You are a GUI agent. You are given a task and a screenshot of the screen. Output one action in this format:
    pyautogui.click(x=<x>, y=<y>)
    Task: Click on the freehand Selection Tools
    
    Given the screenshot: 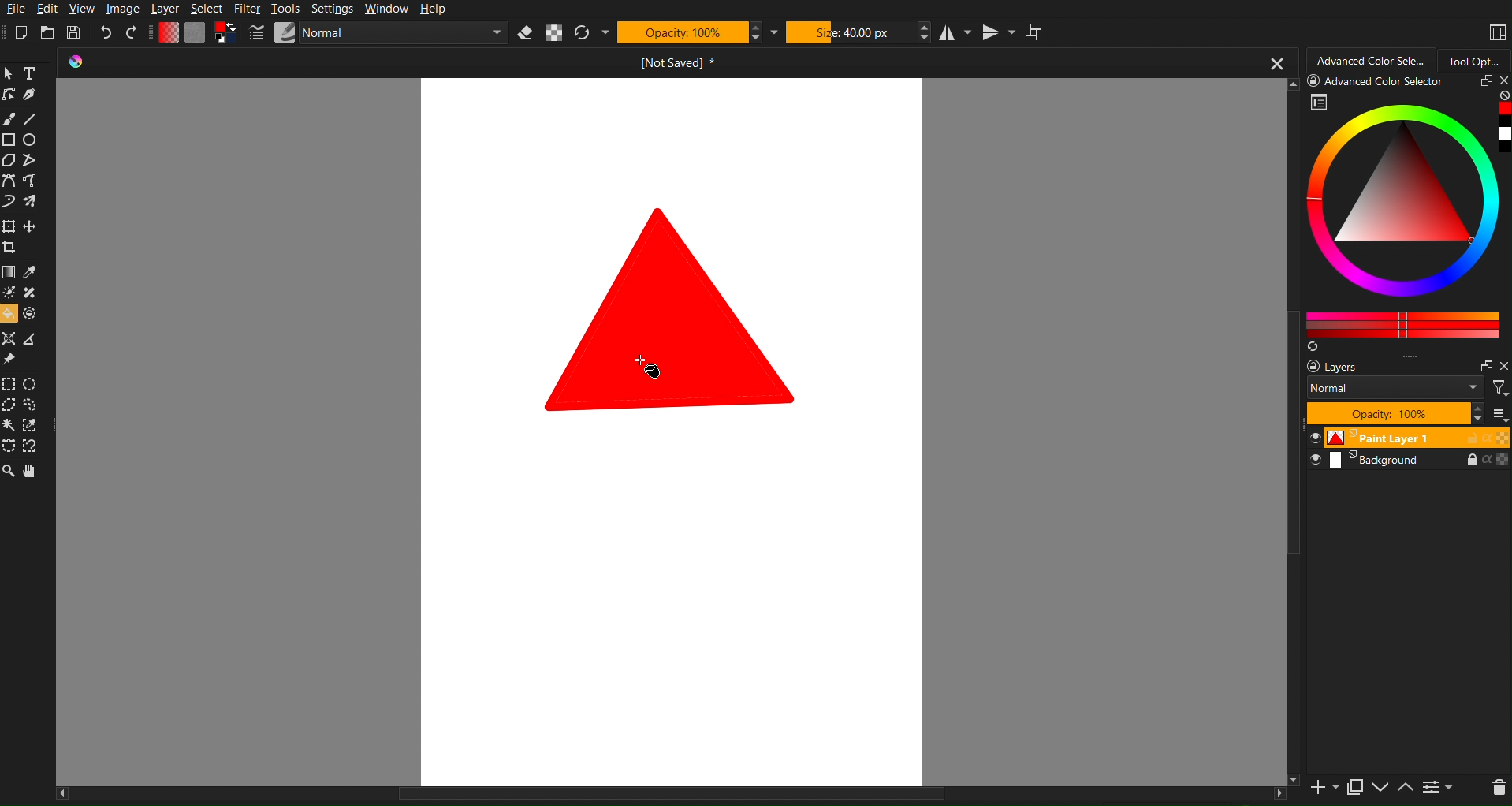 What is the action you would take?
    pyautogui.click(x=32, y=405)
    